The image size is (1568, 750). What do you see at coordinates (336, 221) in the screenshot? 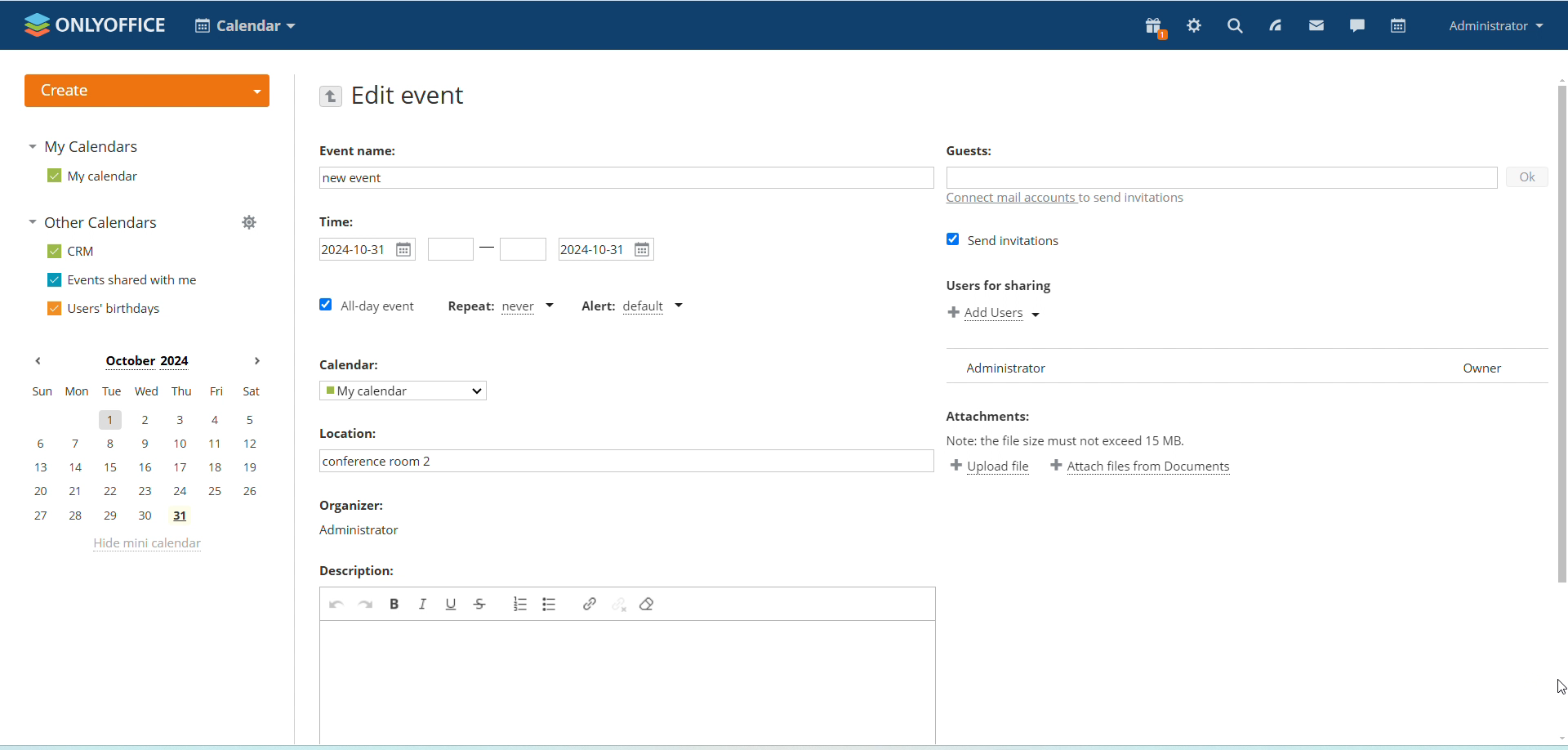
I see `time` at bounding box center [336, 221].